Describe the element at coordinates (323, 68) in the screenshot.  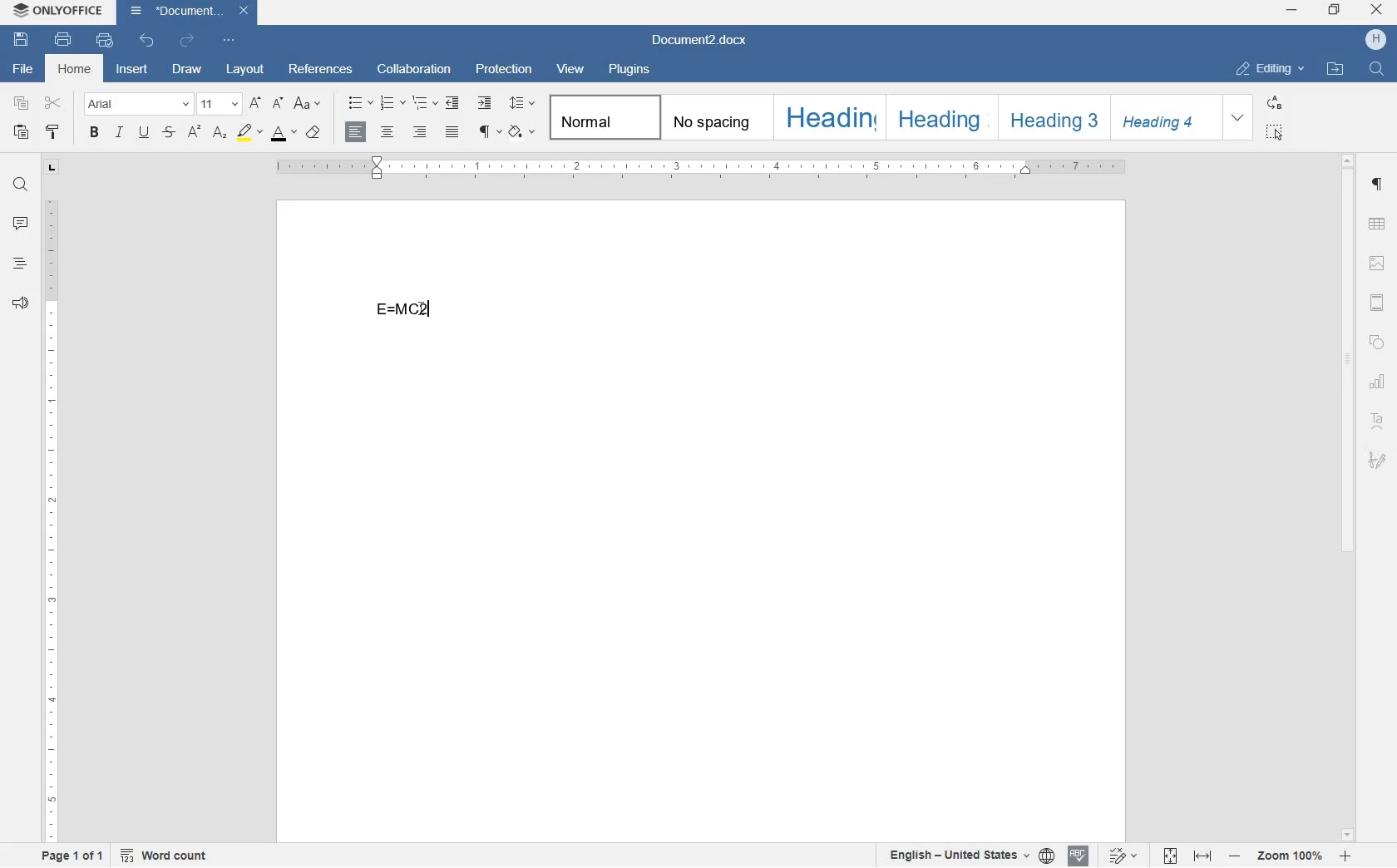
I see `references` at that location.